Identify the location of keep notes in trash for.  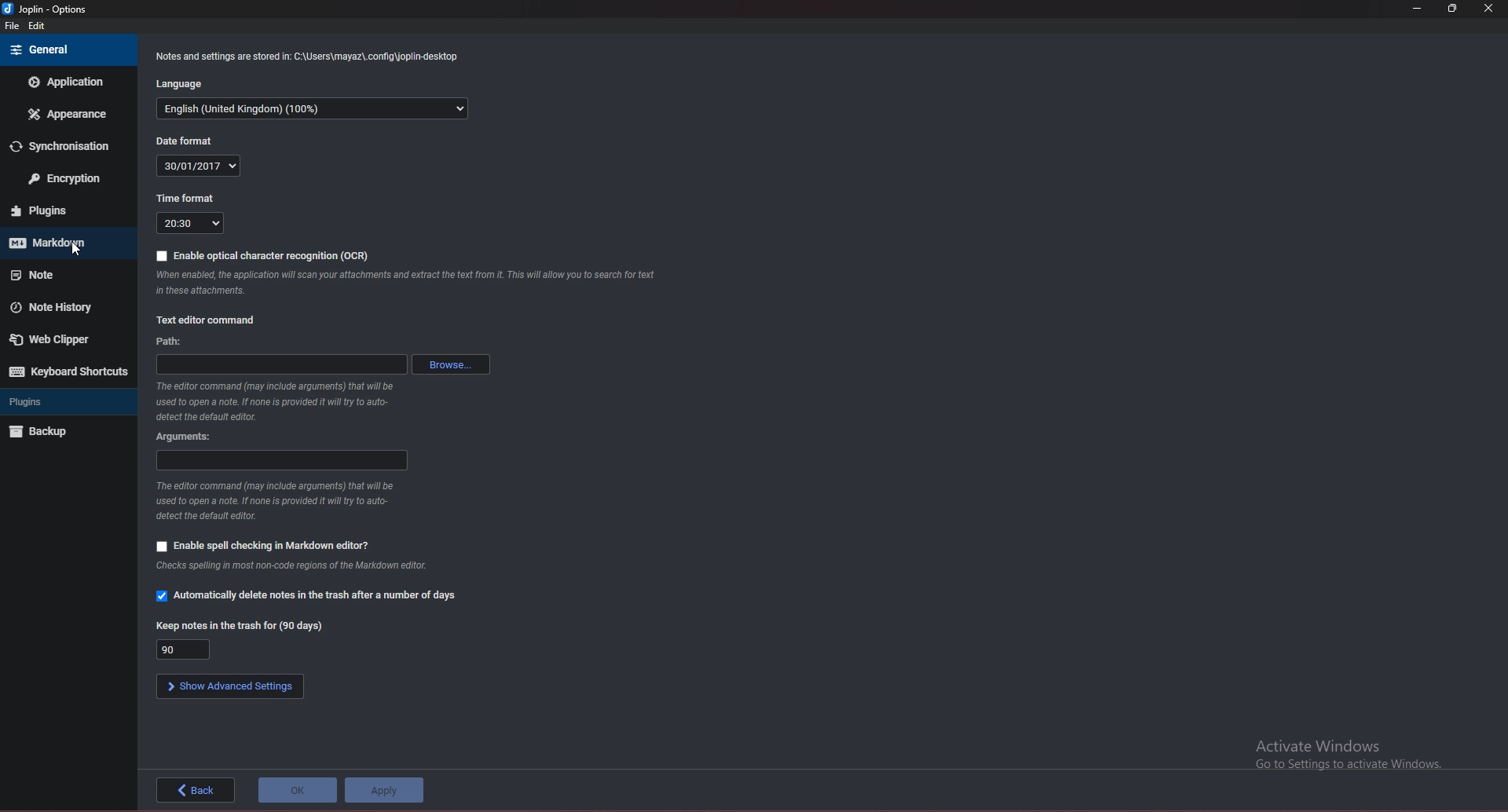
(182, 650).